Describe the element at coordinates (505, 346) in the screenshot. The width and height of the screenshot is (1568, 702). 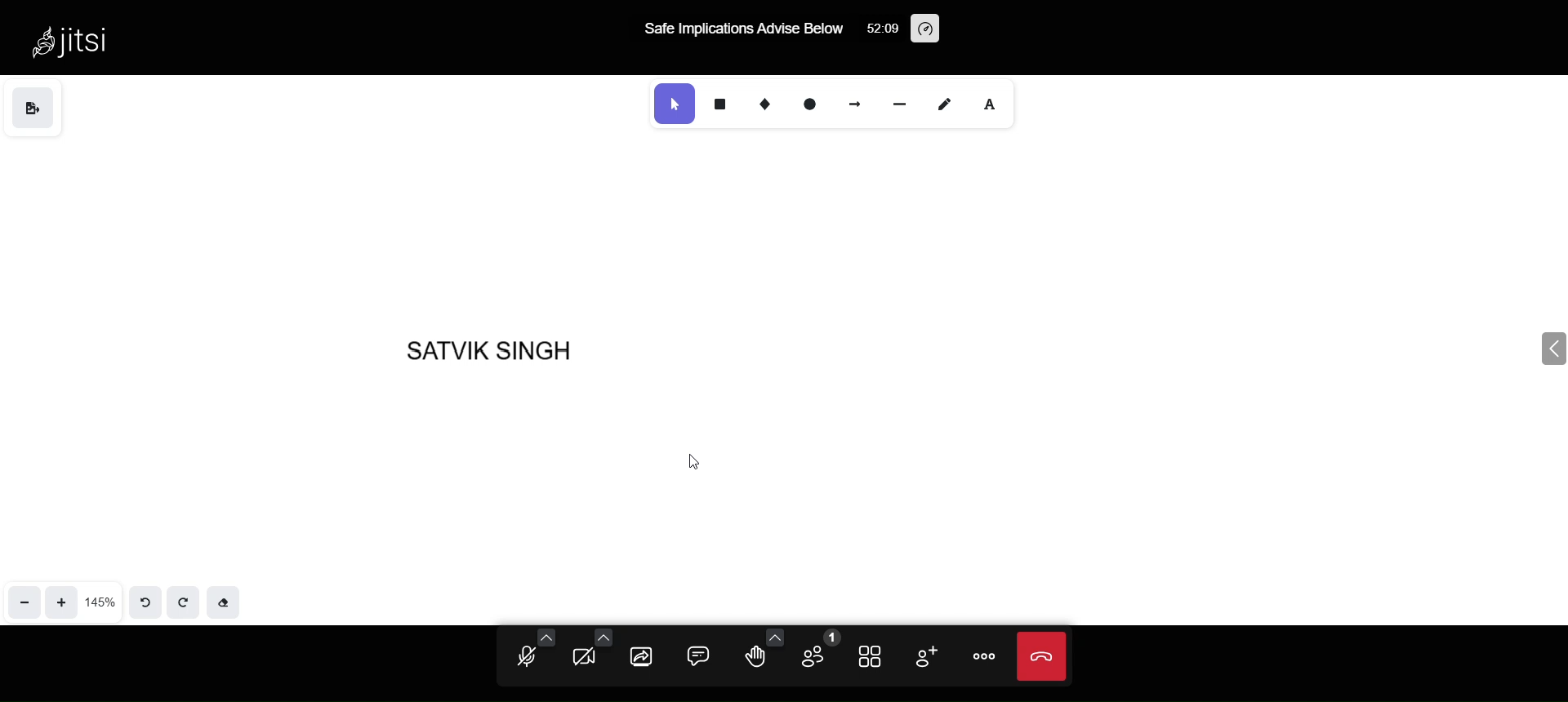
I see `Satvik Singh` at that location.